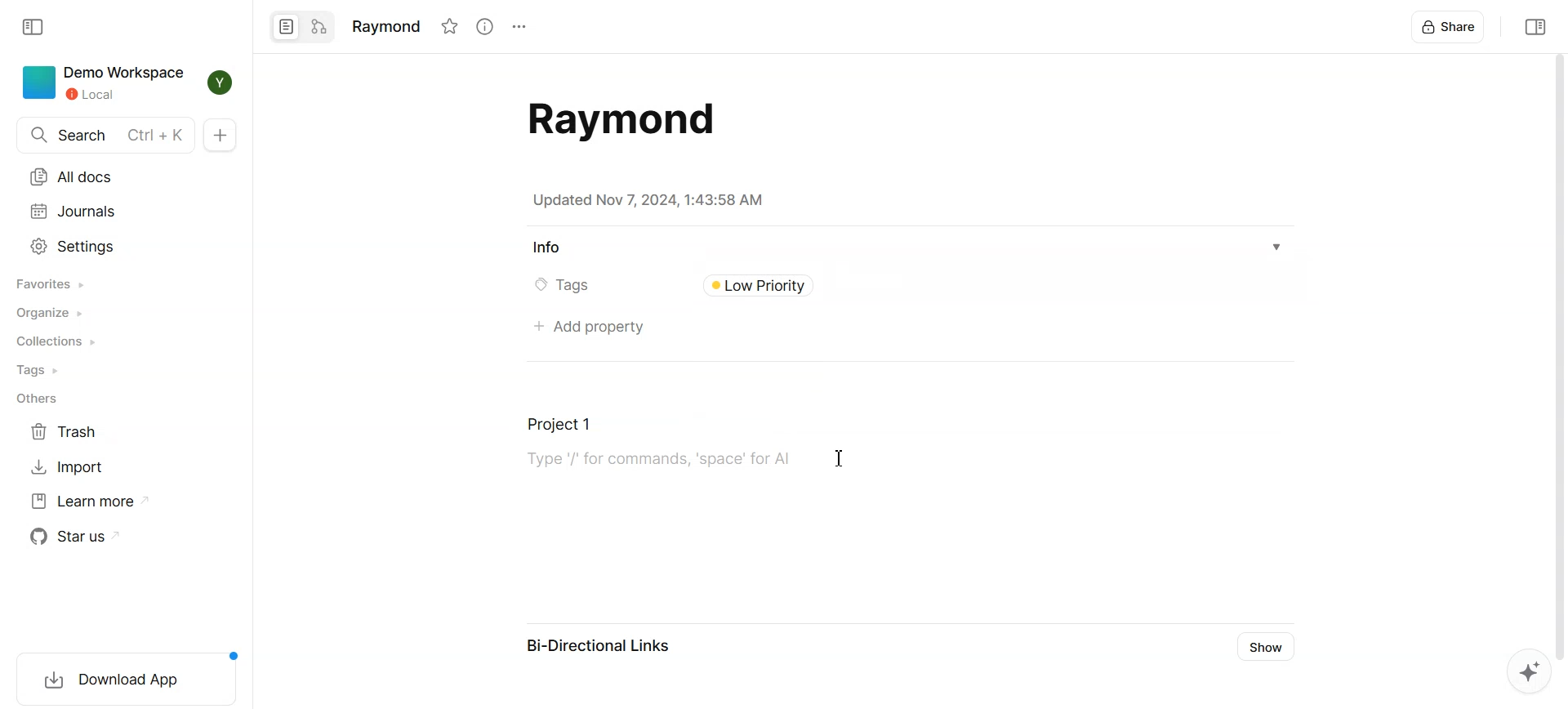 The image size is (1568, 709). Describe the element at coordinates (222, 82) in the screenshot. I see `Profile` at that location.